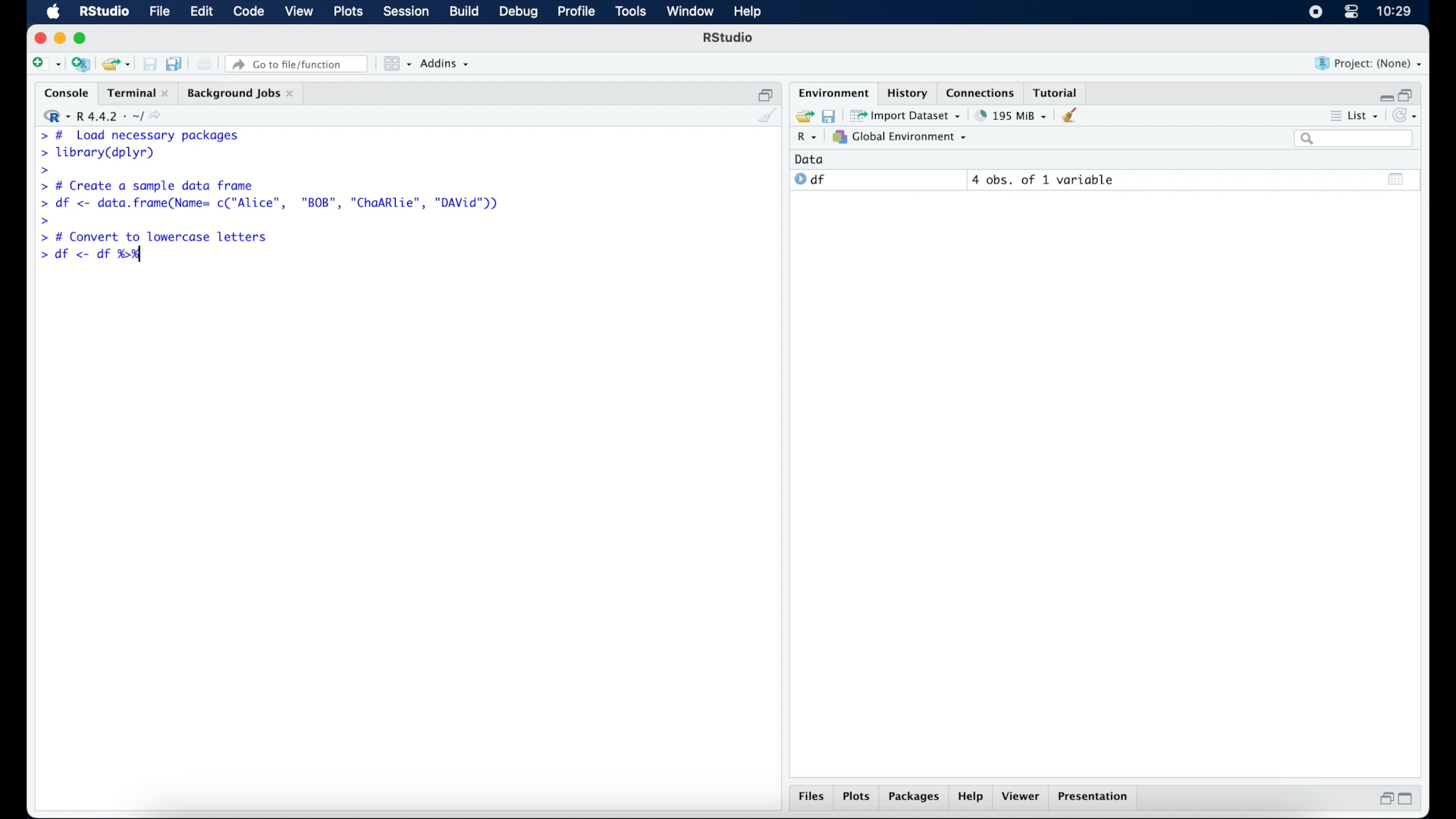 This screenshot has width=1456, height=819. What do you see at coordinates (240, 93) in the screenshot?
I see `background jobs` at bounding box center [240, 93].